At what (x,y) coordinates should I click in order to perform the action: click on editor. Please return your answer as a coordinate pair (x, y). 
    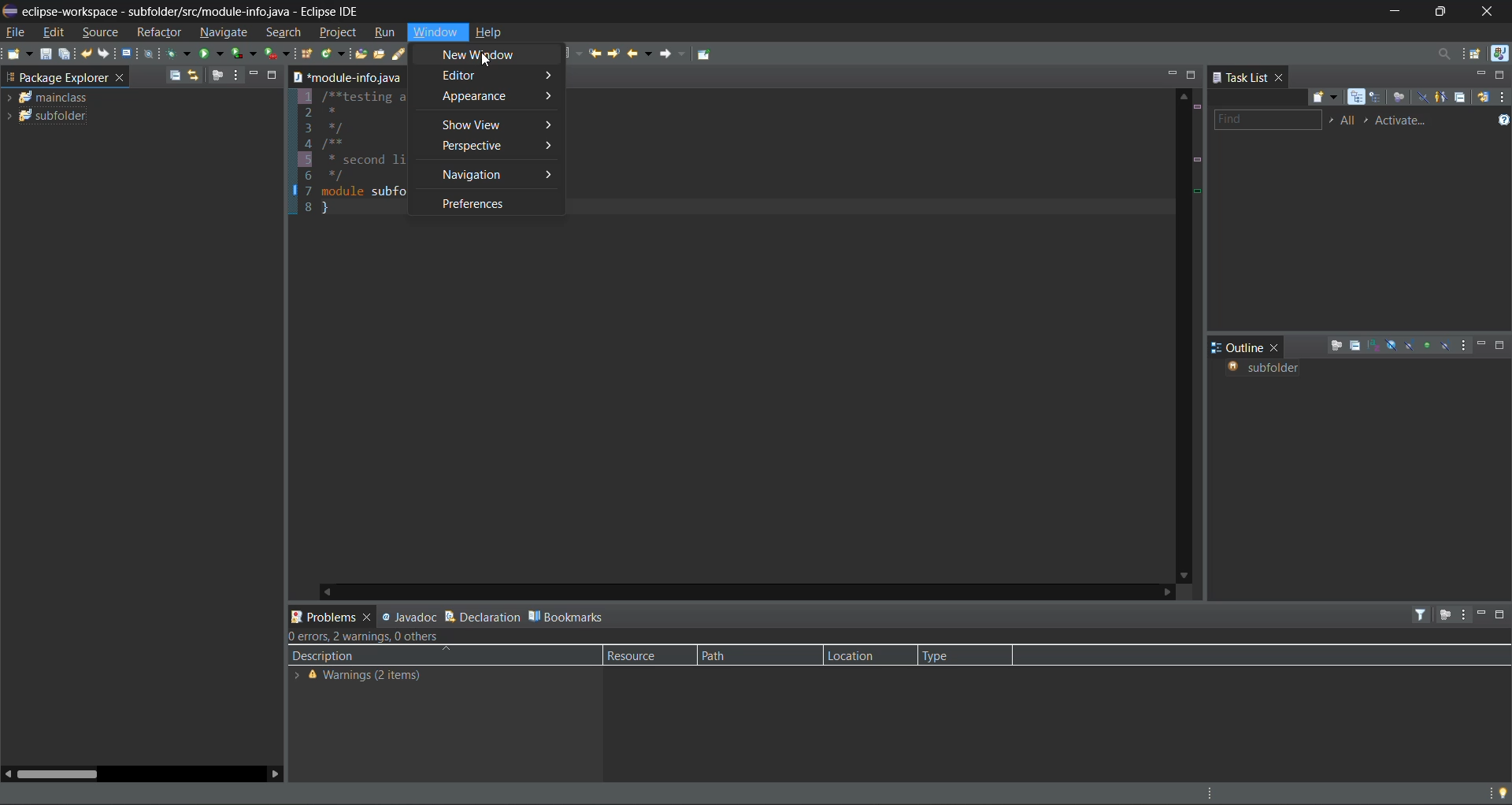
    Looking at the image, I should click on (496, 76).